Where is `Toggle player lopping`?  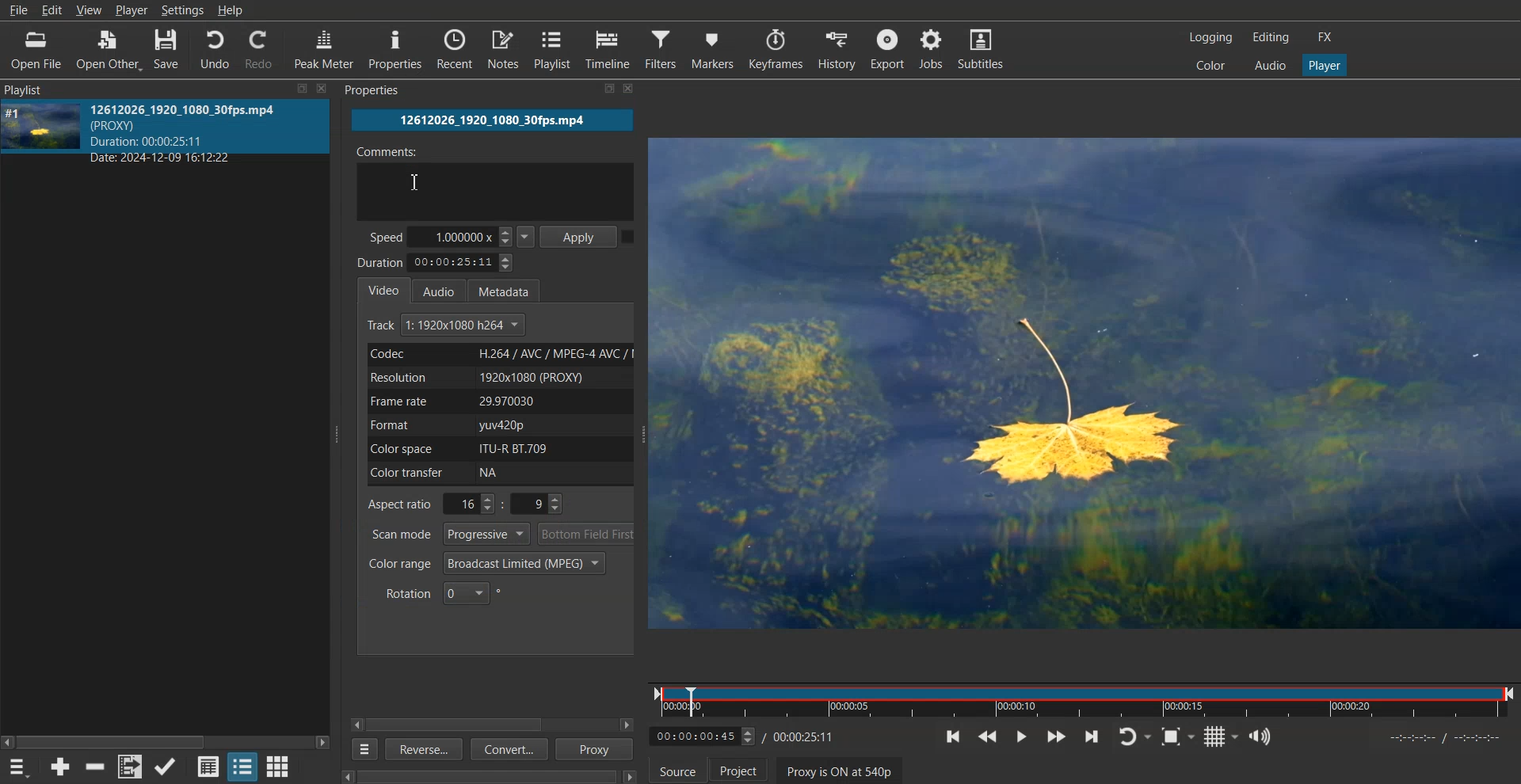 Toggle player lopping is located at coordinates (1134, 736).